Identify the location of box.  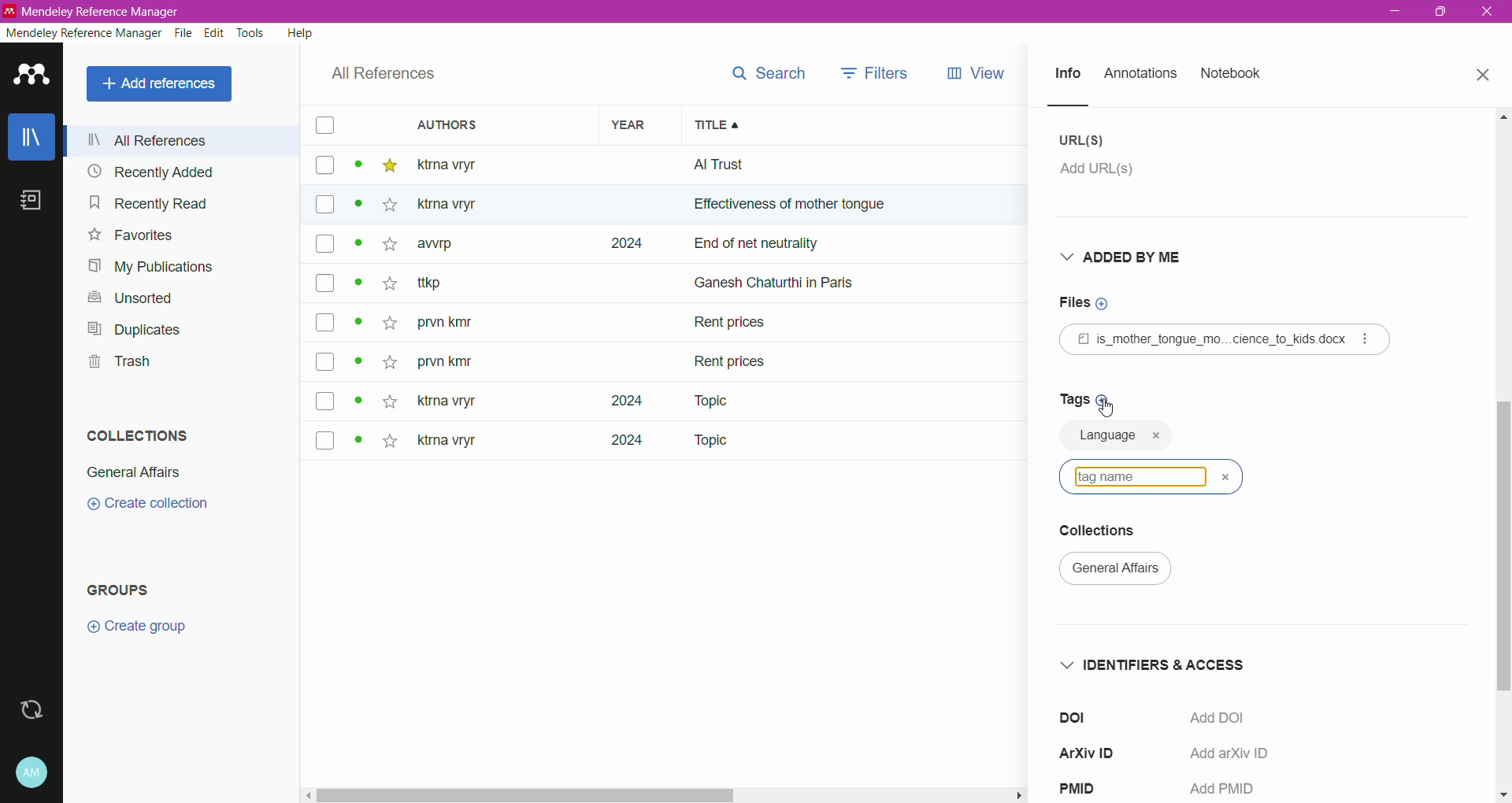
(324, 166).